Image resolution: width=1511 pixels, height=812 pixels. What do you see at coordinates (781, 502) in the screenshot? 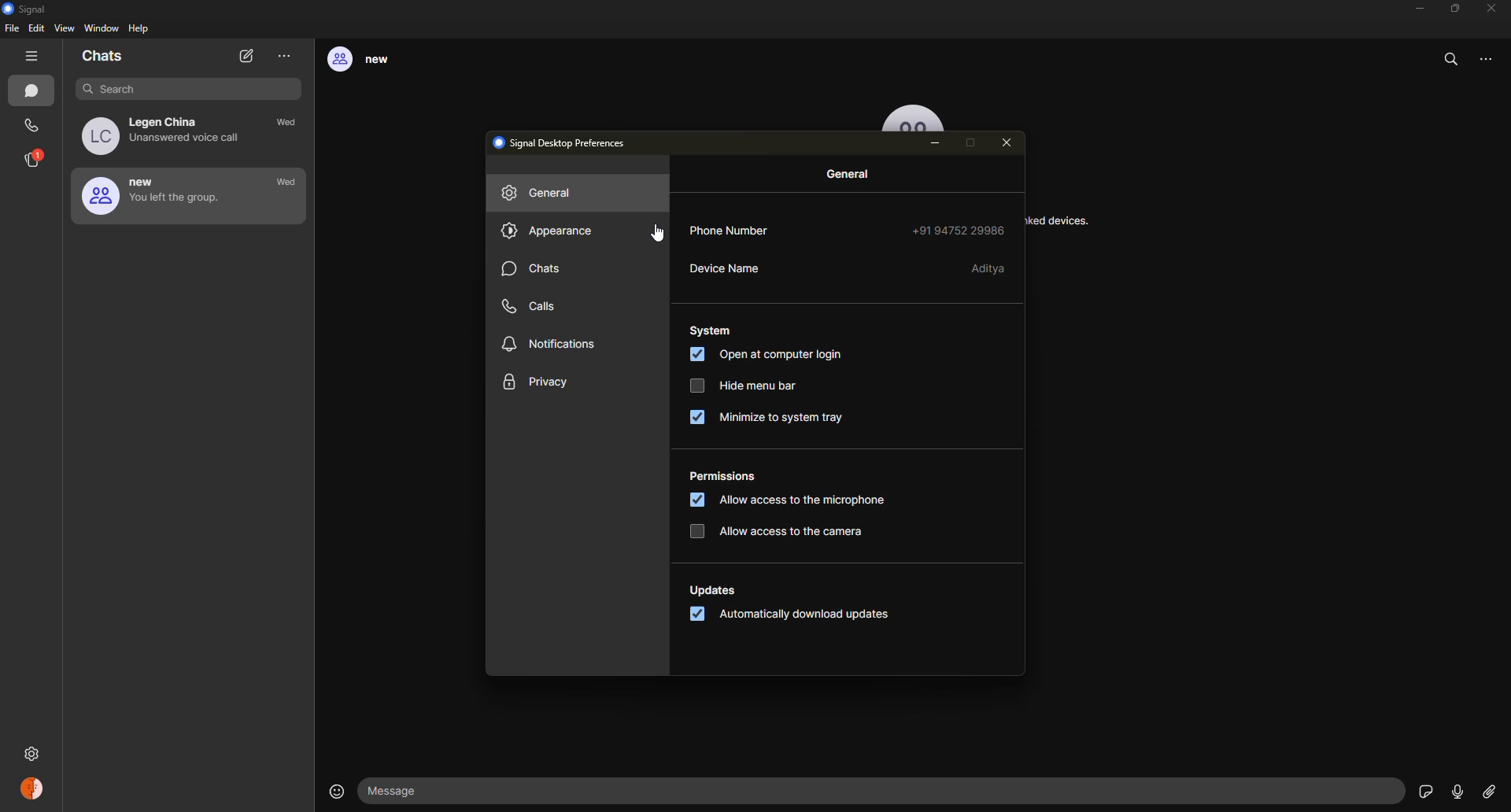
I see `allow access to mic` at bounding box center [781, 502].